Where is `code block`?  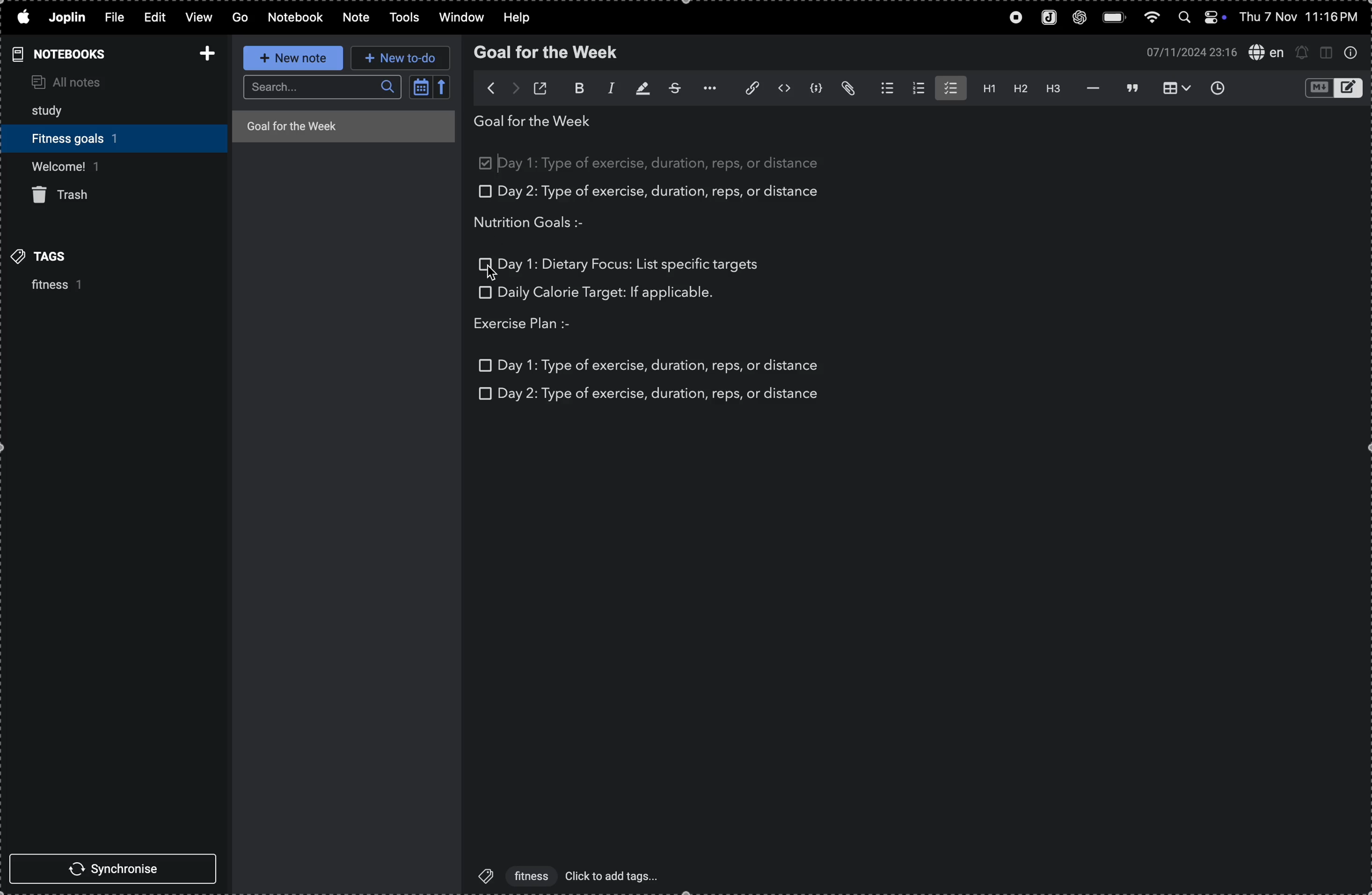 code block is located at coordinates (816, 88).